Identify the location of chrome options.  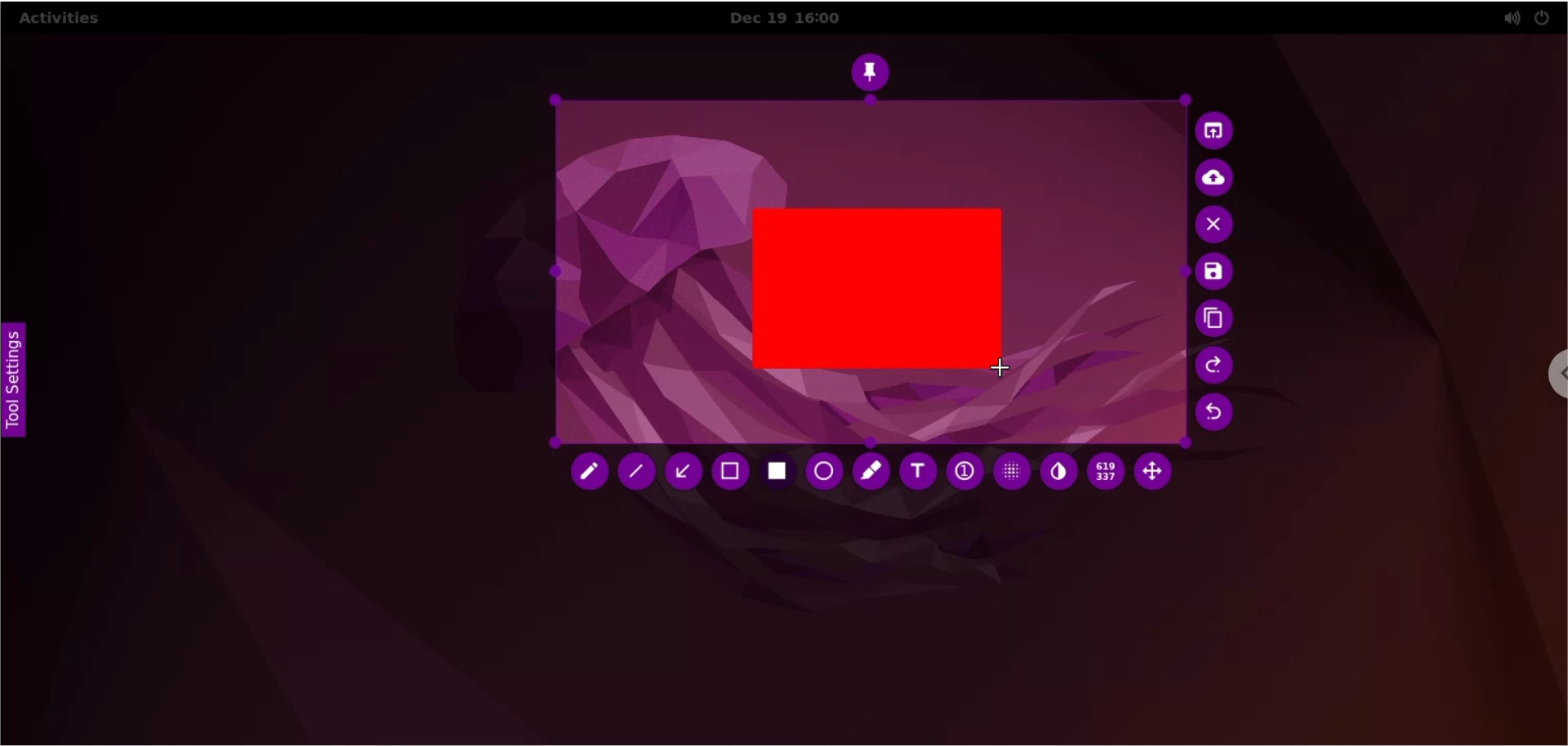
(1540, 383).